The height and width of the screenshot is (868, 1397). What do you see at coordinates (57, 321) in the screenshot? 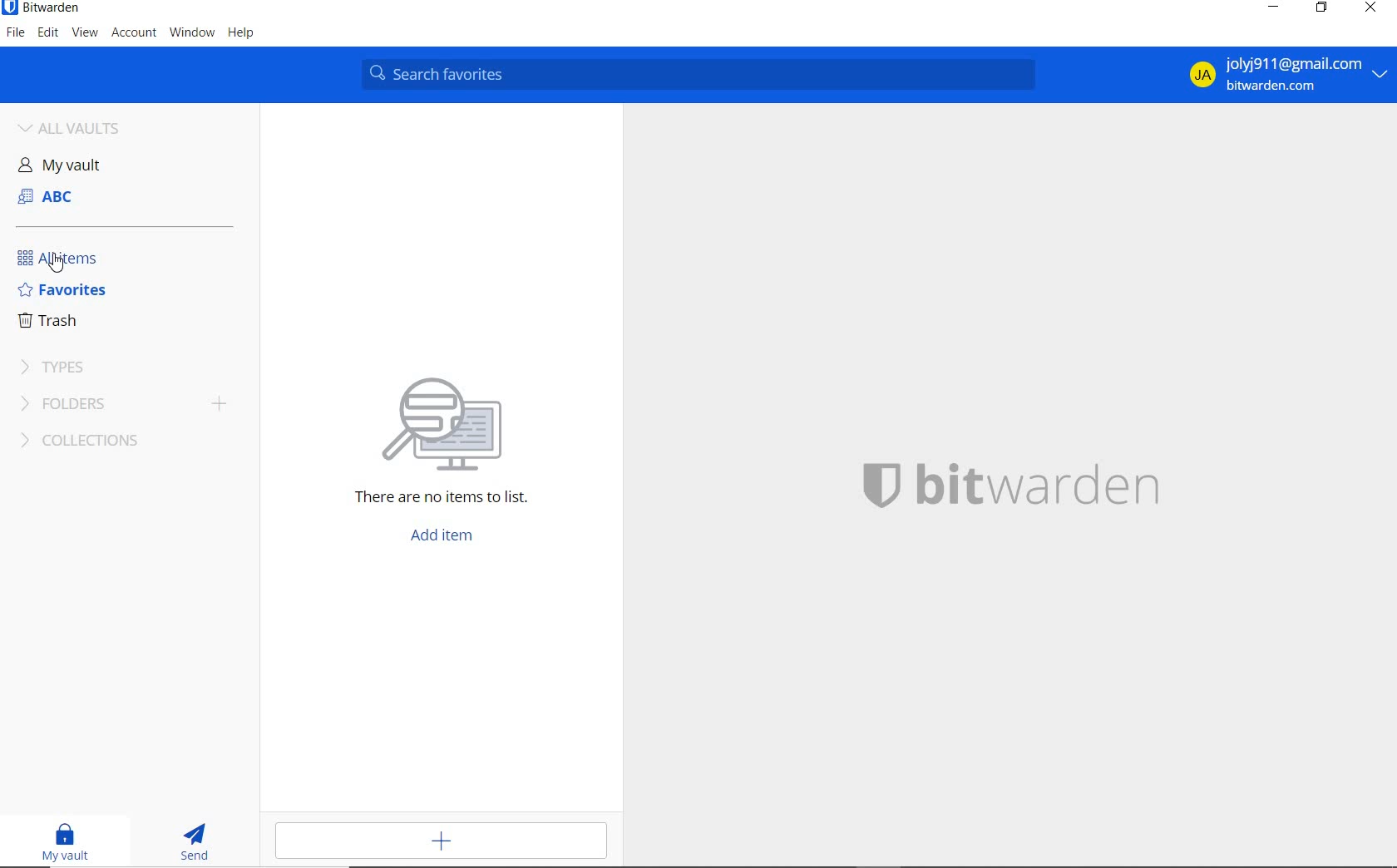
I see `TRASH` at bounding box center [57, 321].